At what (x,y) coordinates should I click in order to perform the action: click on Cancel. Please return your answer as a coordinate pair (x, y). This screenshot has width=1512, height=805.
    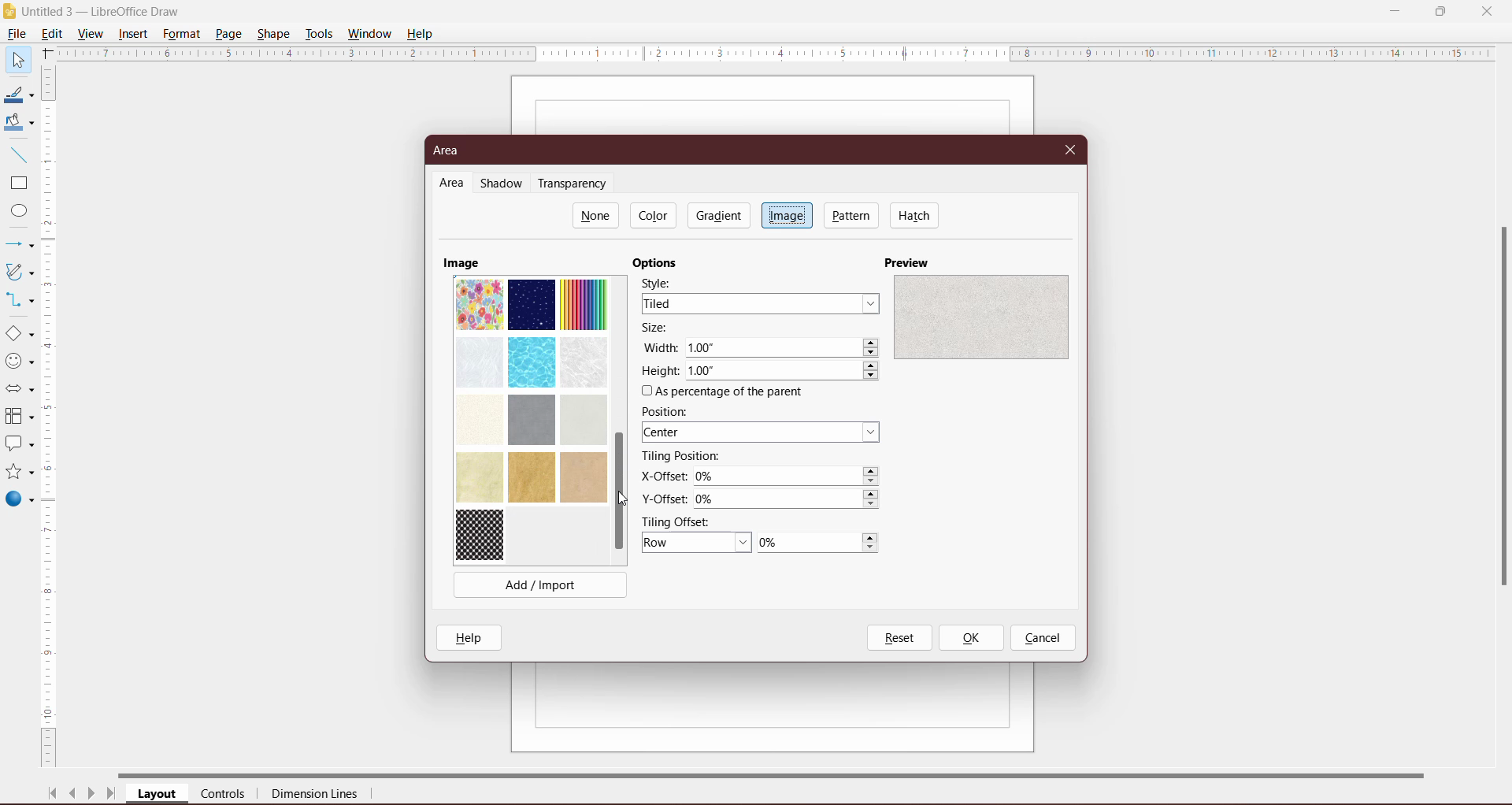
    Looking at the image, I should click on (1043, 639).